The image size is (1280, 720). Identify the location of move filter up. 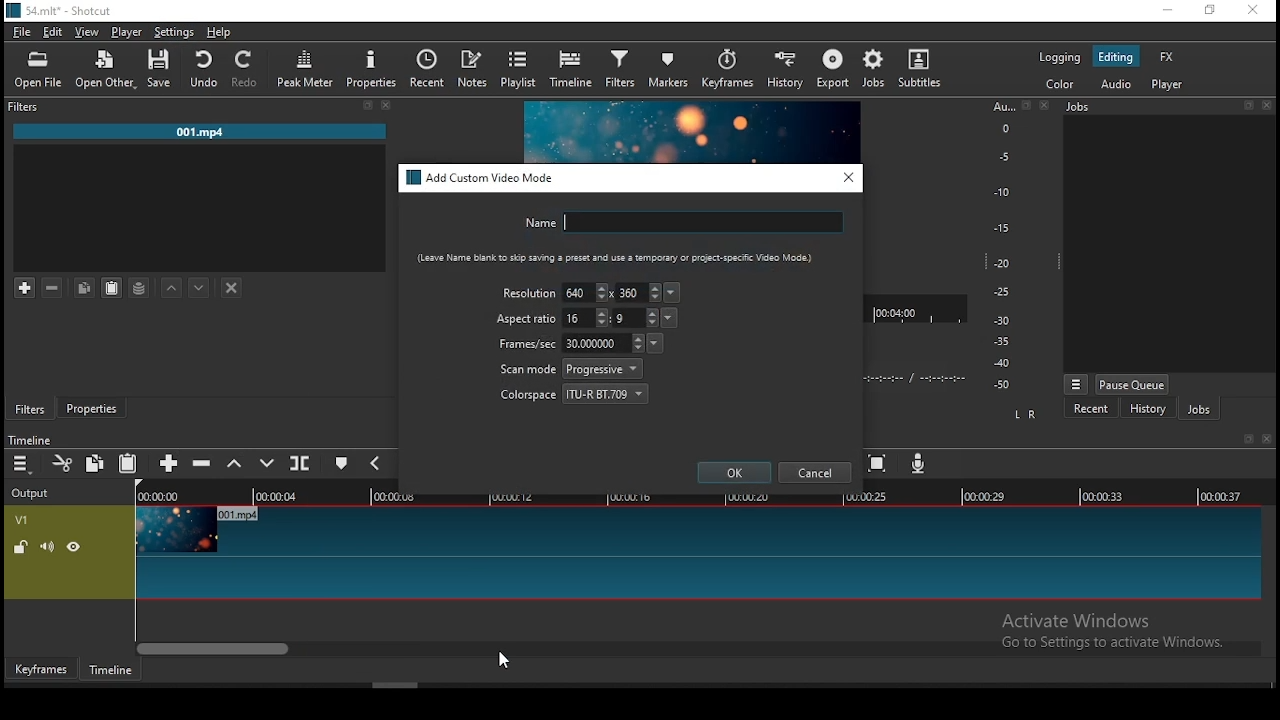
(172, 286).